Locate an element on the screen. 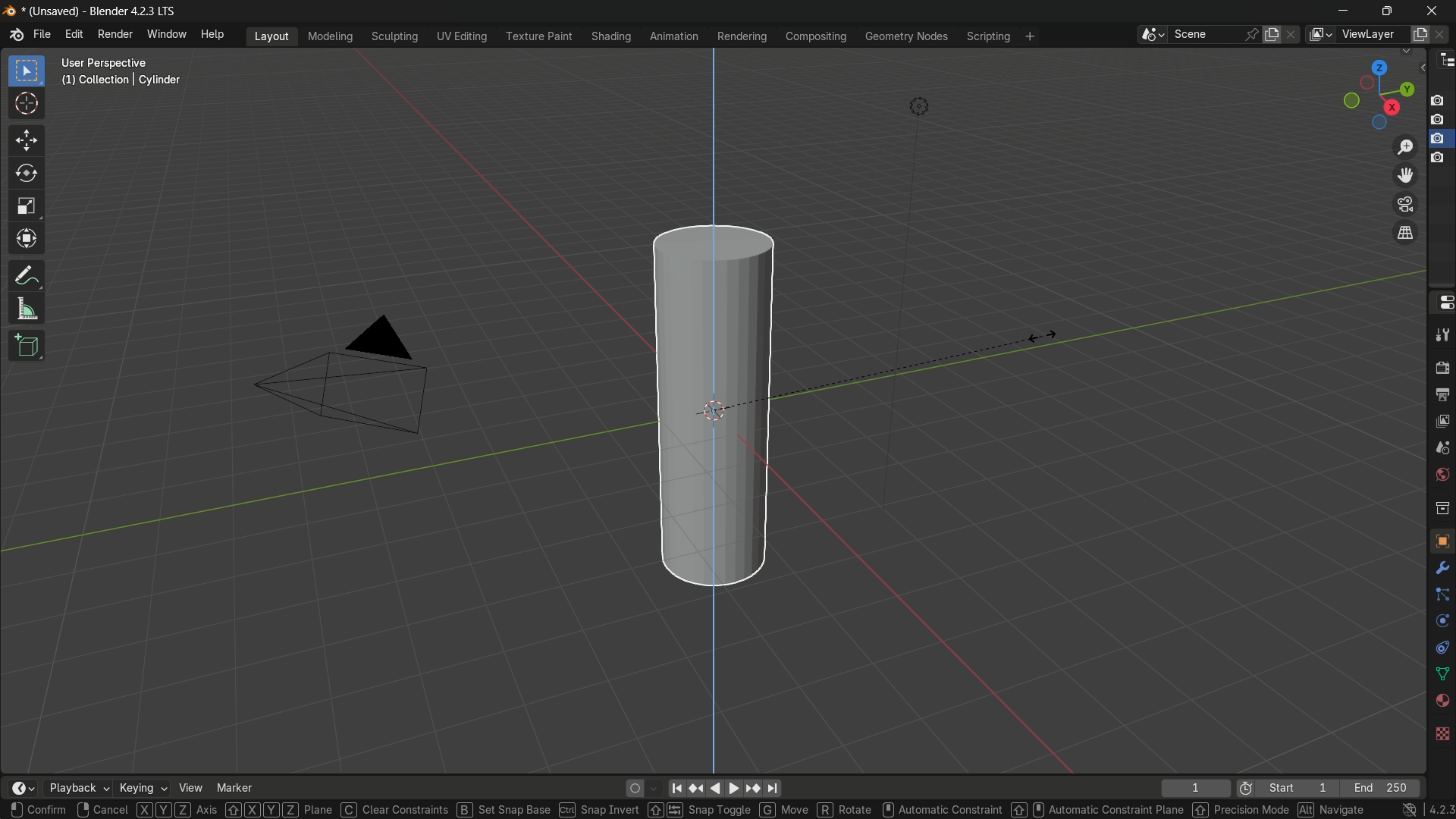 The width and height of the screenshot is (1456, 819). particles is located at coordinates (1439, 595).